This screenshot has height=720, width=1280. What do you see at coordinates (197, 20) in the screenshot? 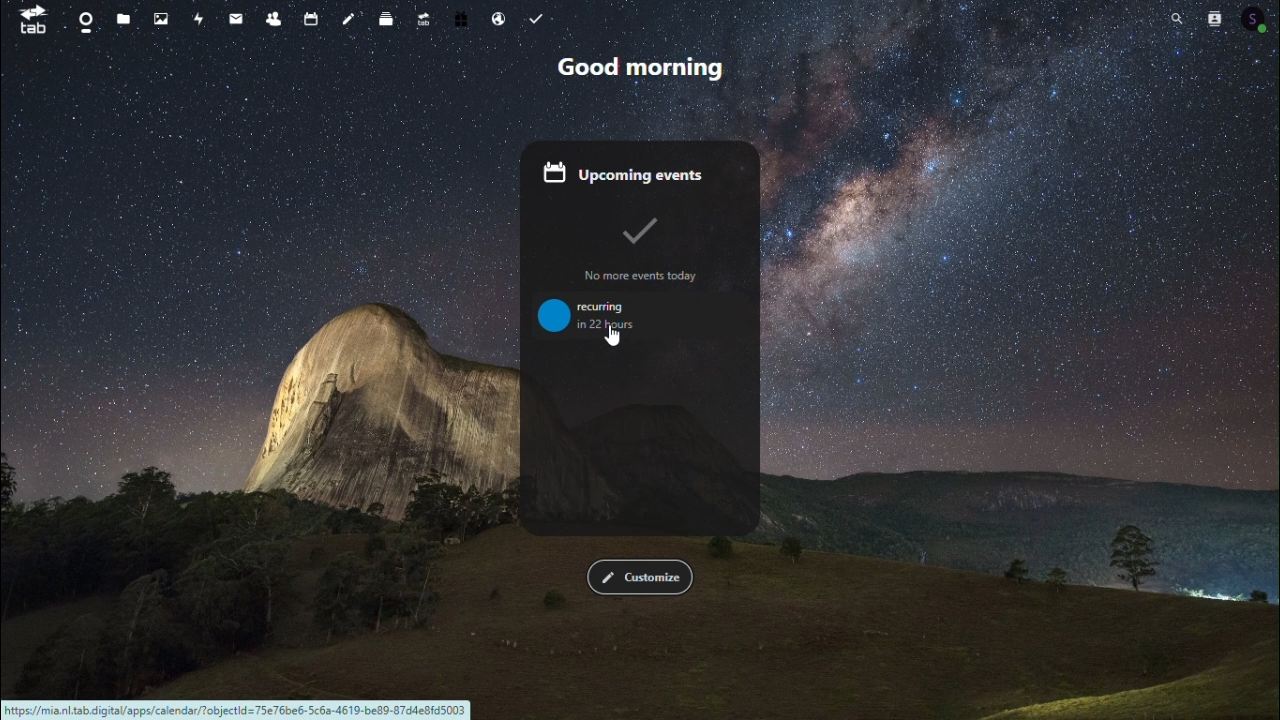
I see `Activity` at bounding box center [197, 20].